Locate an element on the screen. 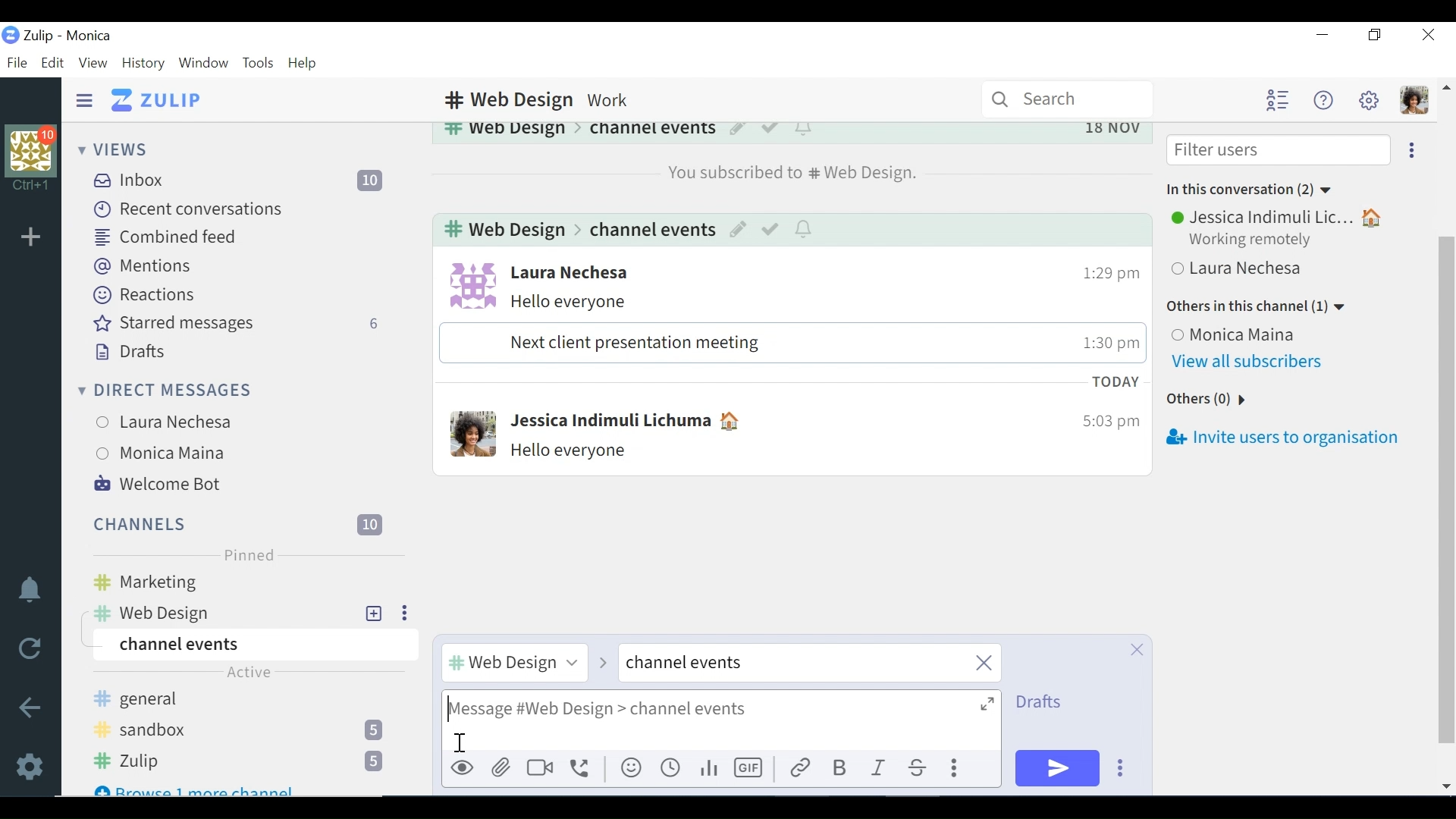 The width and height of the screenshot is (1456, 819). Close is located at coordinates (1427, 35).